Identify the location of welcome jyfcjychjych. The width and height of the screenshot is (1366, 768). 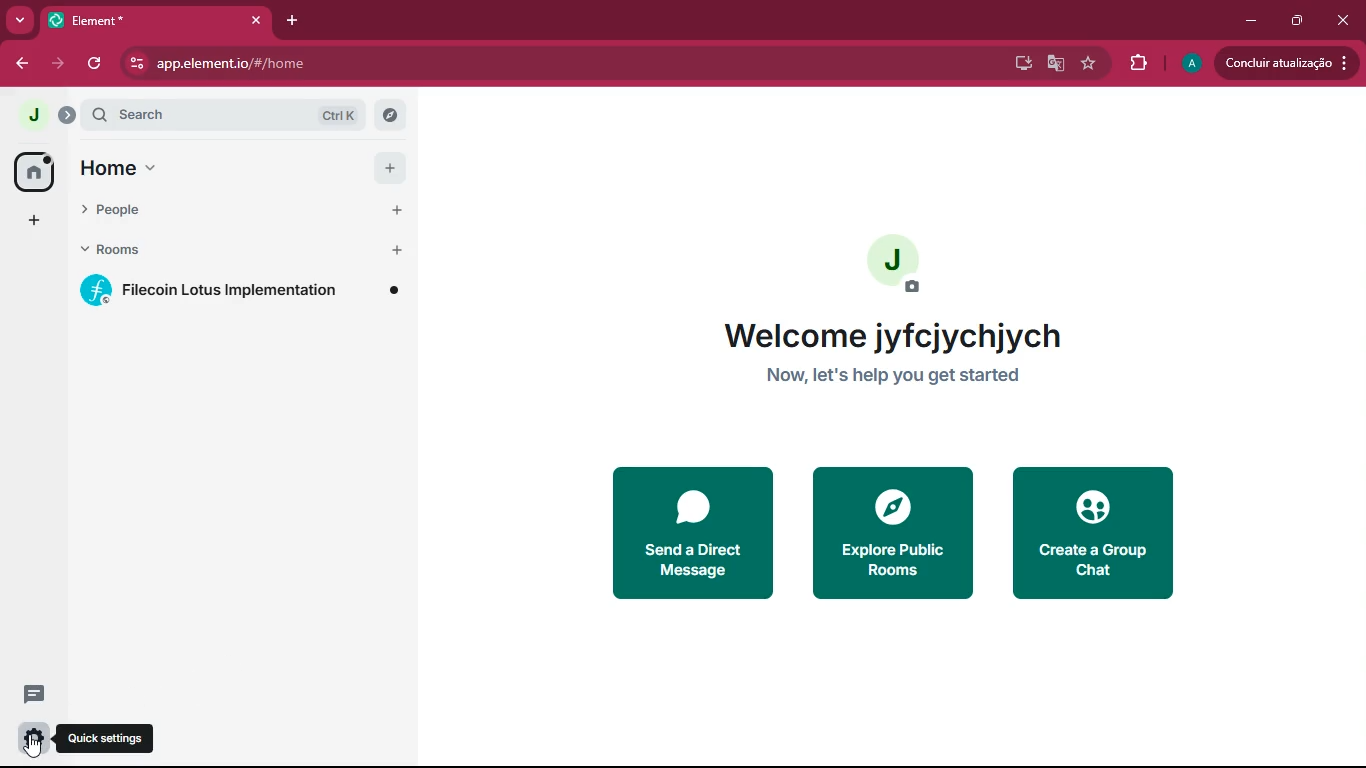
(899, 334).